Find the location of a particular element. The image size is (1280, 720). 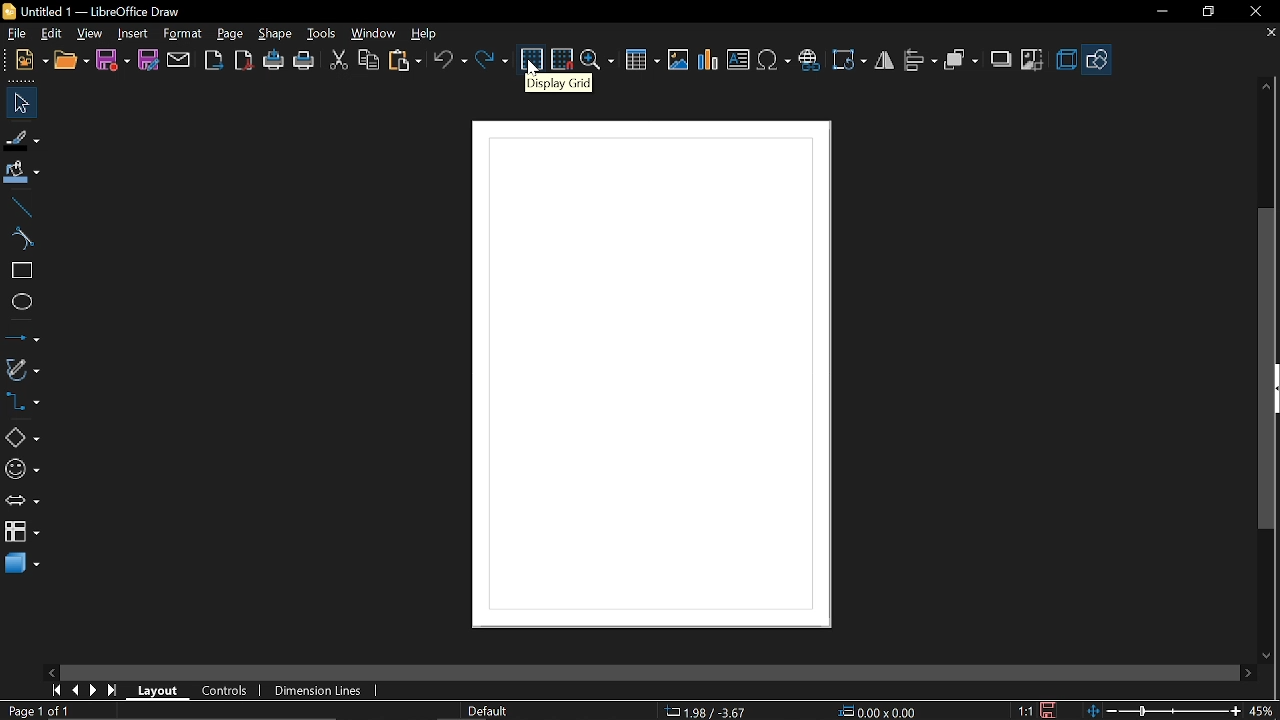

Untitled - LibreOffice Draw is located at coordinates (93, 10).